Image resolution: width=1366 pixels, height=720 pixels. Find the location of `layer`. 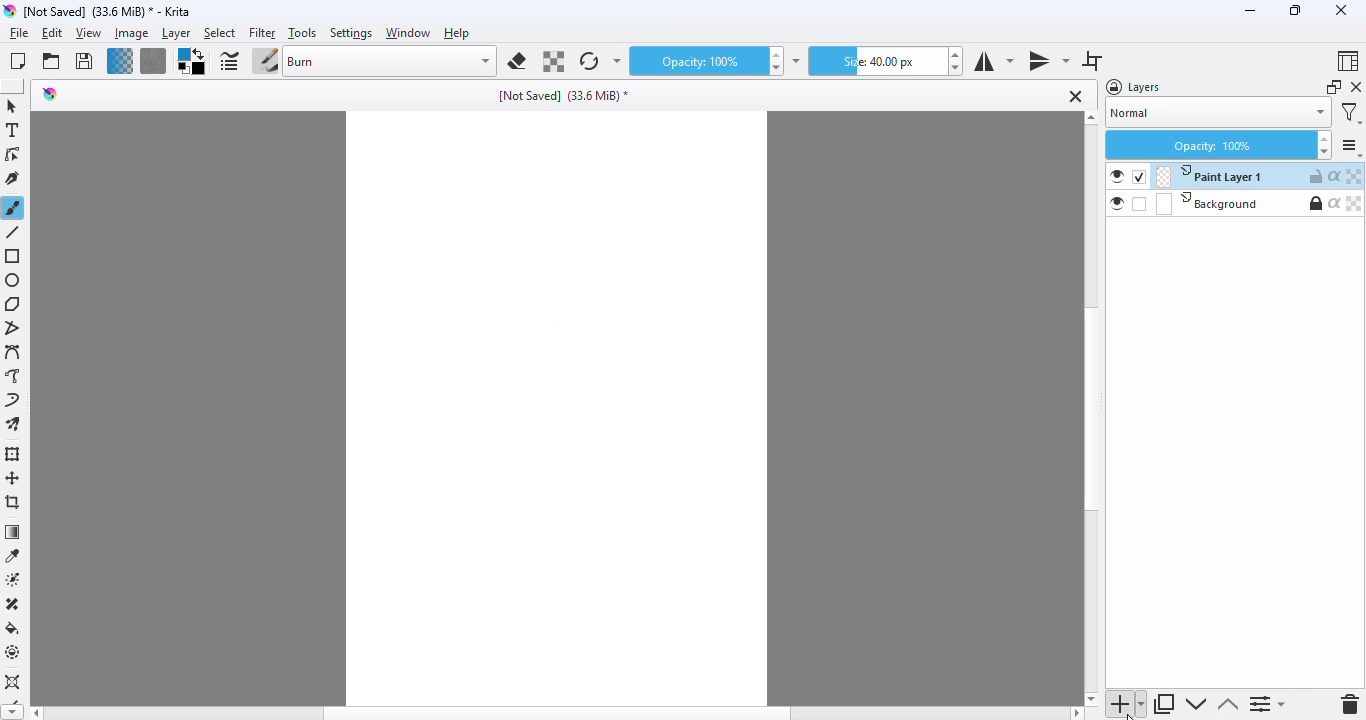

layer is located at coordinates (176, 34).